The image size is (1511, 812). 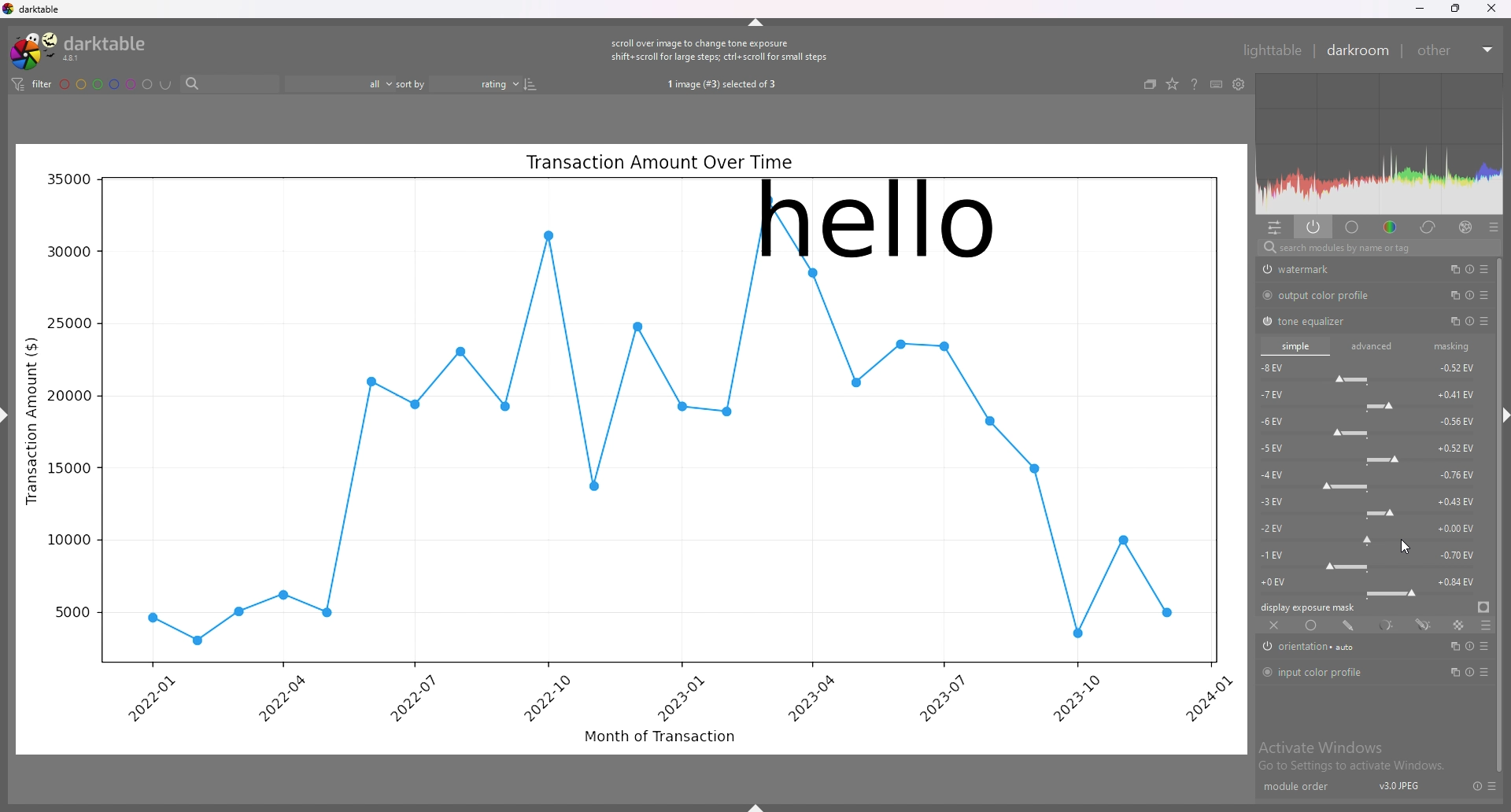 I want to click on v3.0JPEJ, so click(x=1396, y=786).